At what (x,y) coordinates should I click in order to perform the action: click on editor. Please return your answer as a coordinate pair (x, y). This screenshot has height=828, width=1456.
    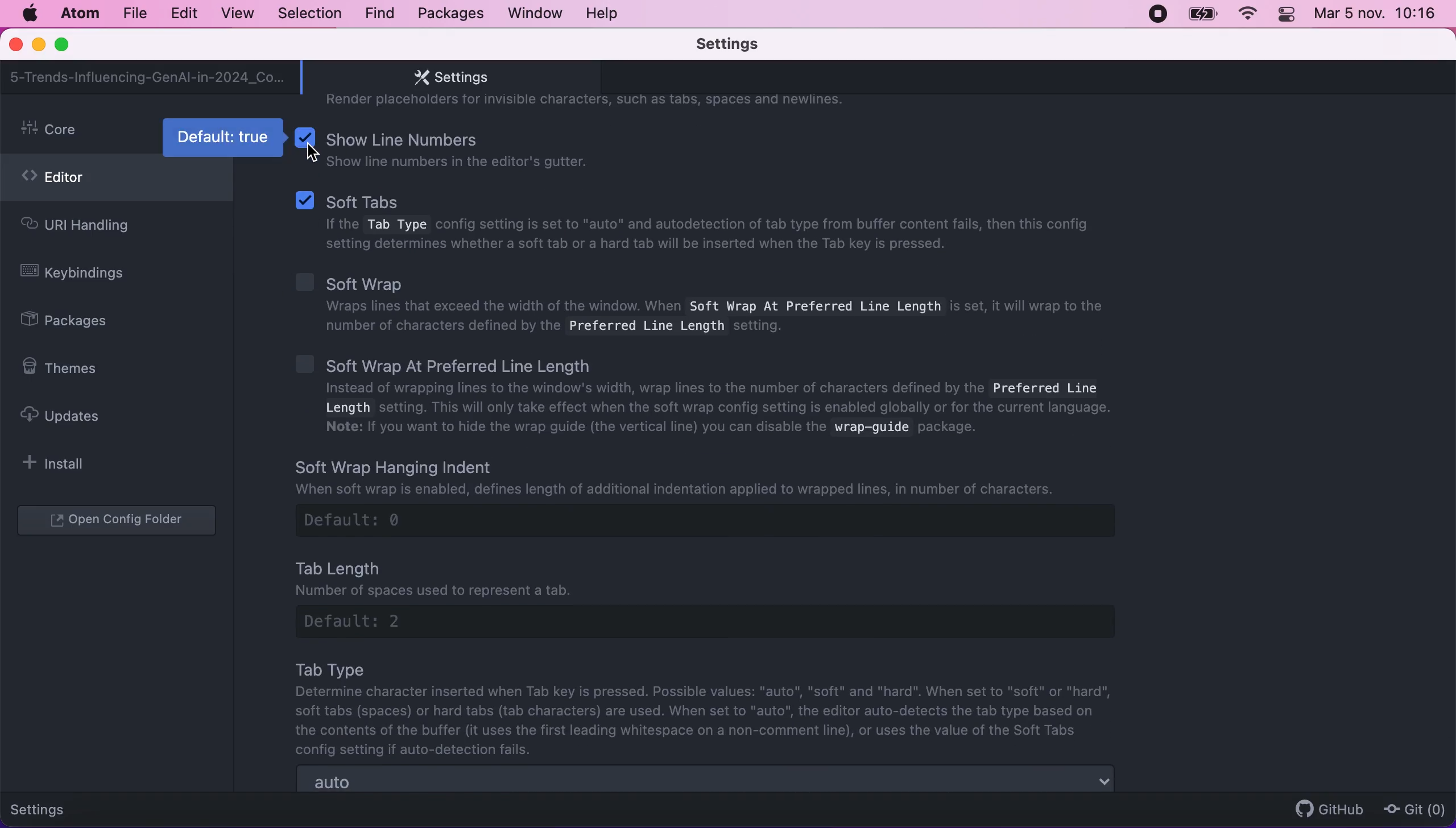
    Looking at the image, I should click on (117, 181).